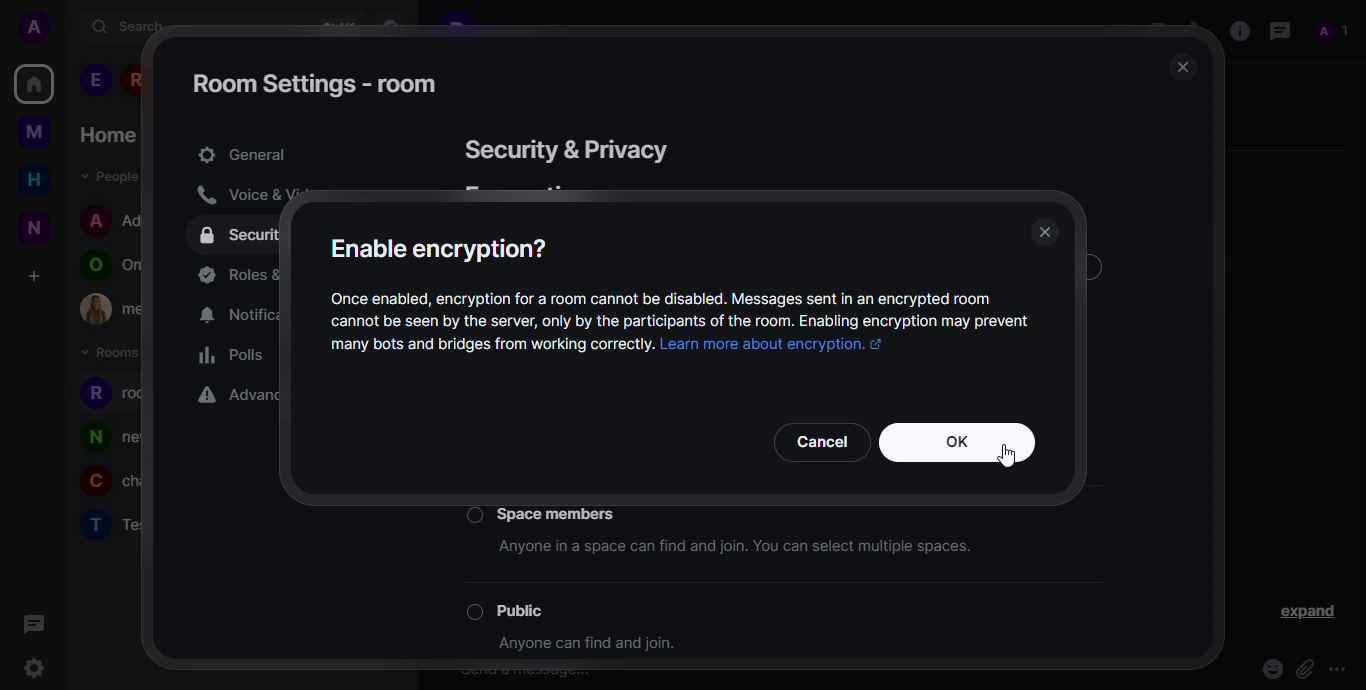  Describe the element at coordinates (33, 670) in the screenshot. I see `settings` at that location.